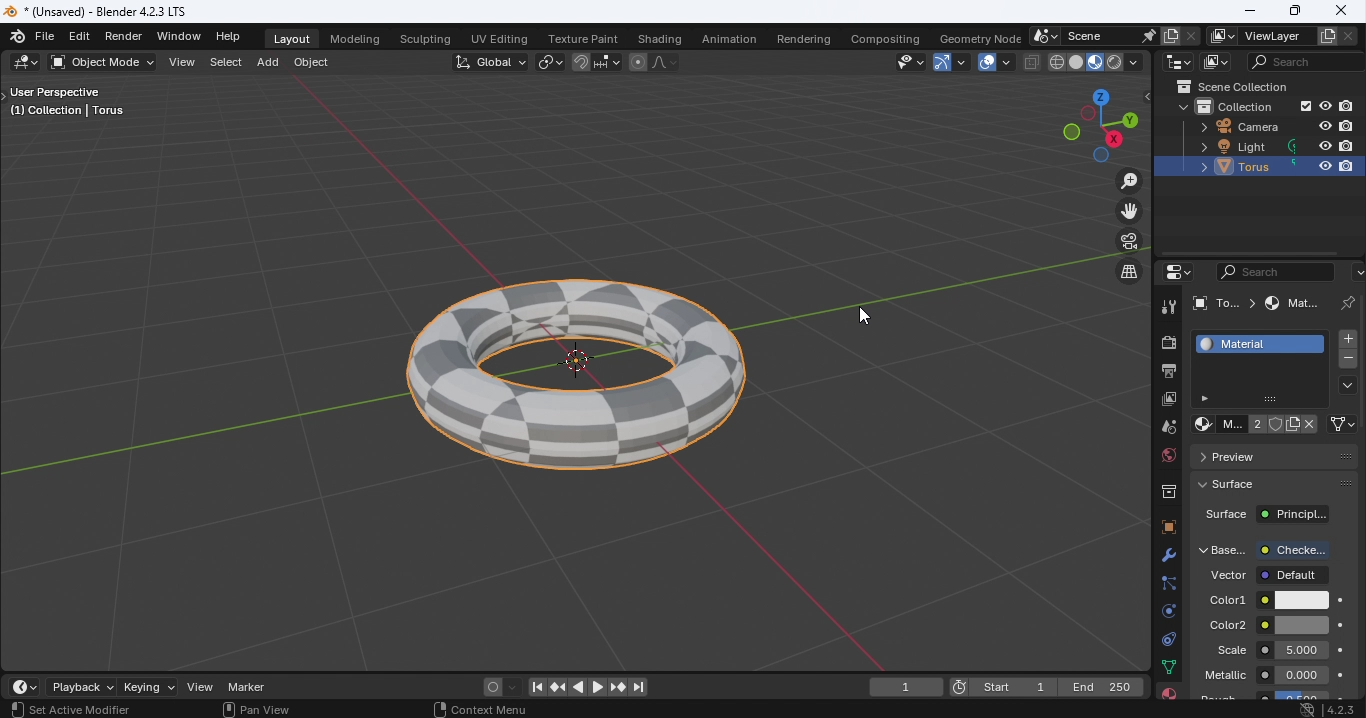 The width and height of the screenshot is (1366, 718). I want to click on Material, so click(1231, 697).